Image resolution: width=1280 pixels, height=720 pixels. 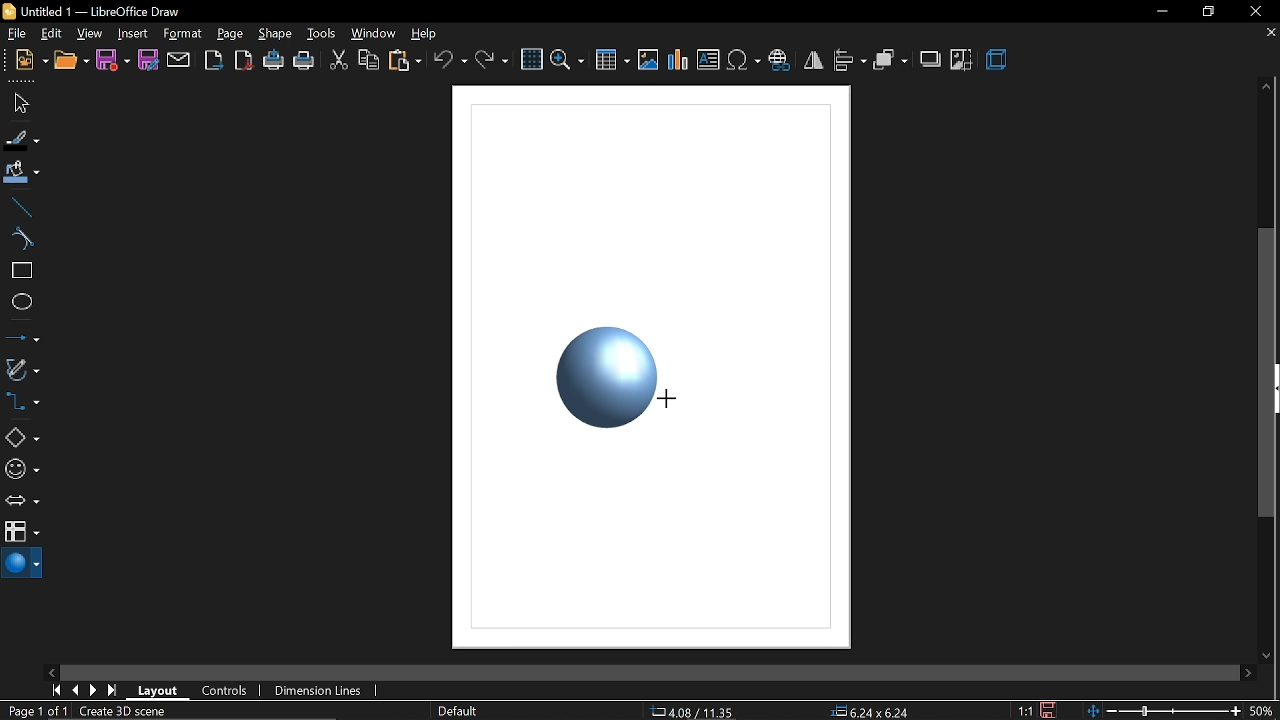 I want to click on connector, so click(x=26, y=400).